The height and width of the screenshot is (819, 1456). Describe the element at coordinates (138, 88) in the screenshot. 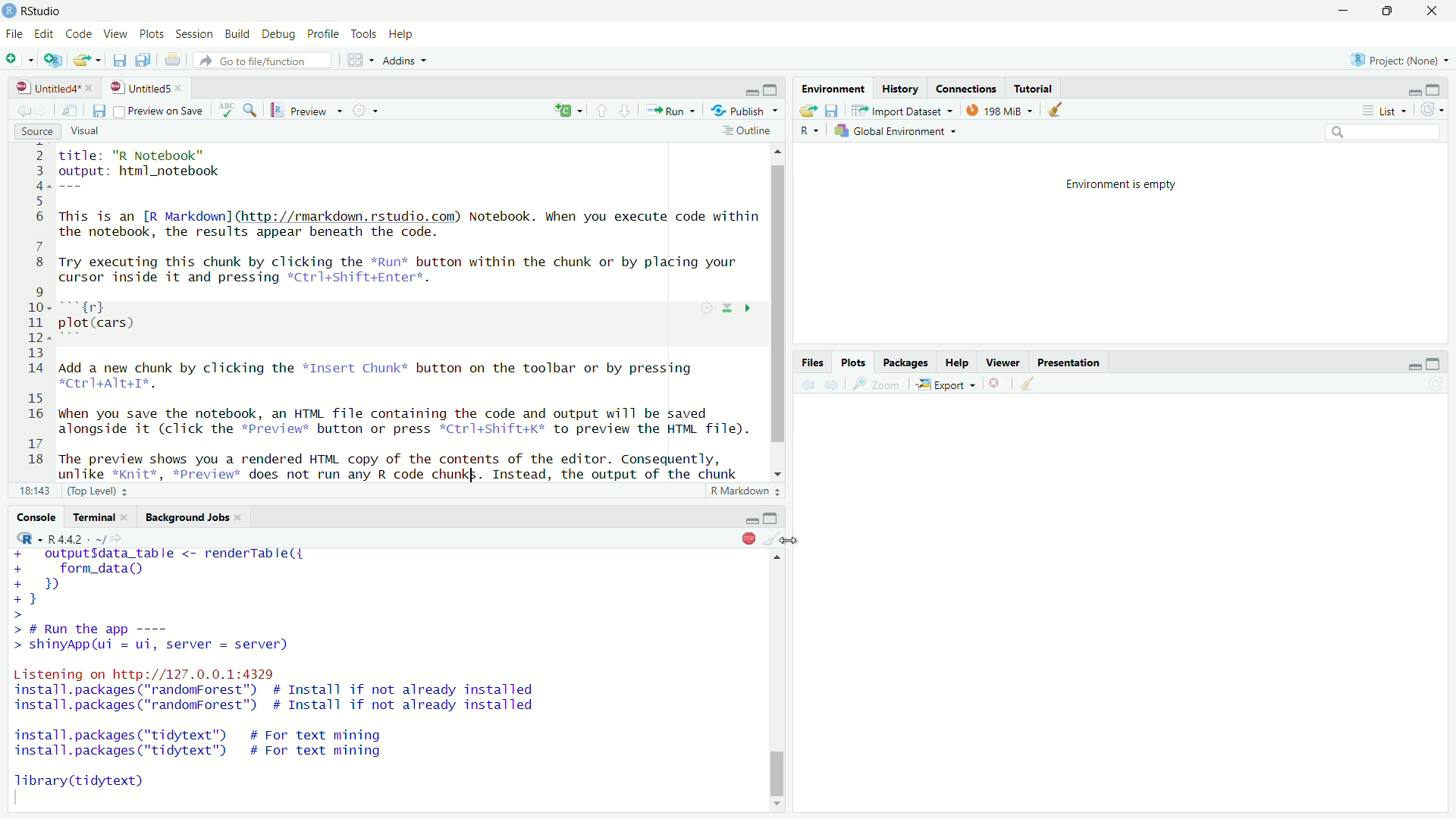

I see `Untitled5` at that location.